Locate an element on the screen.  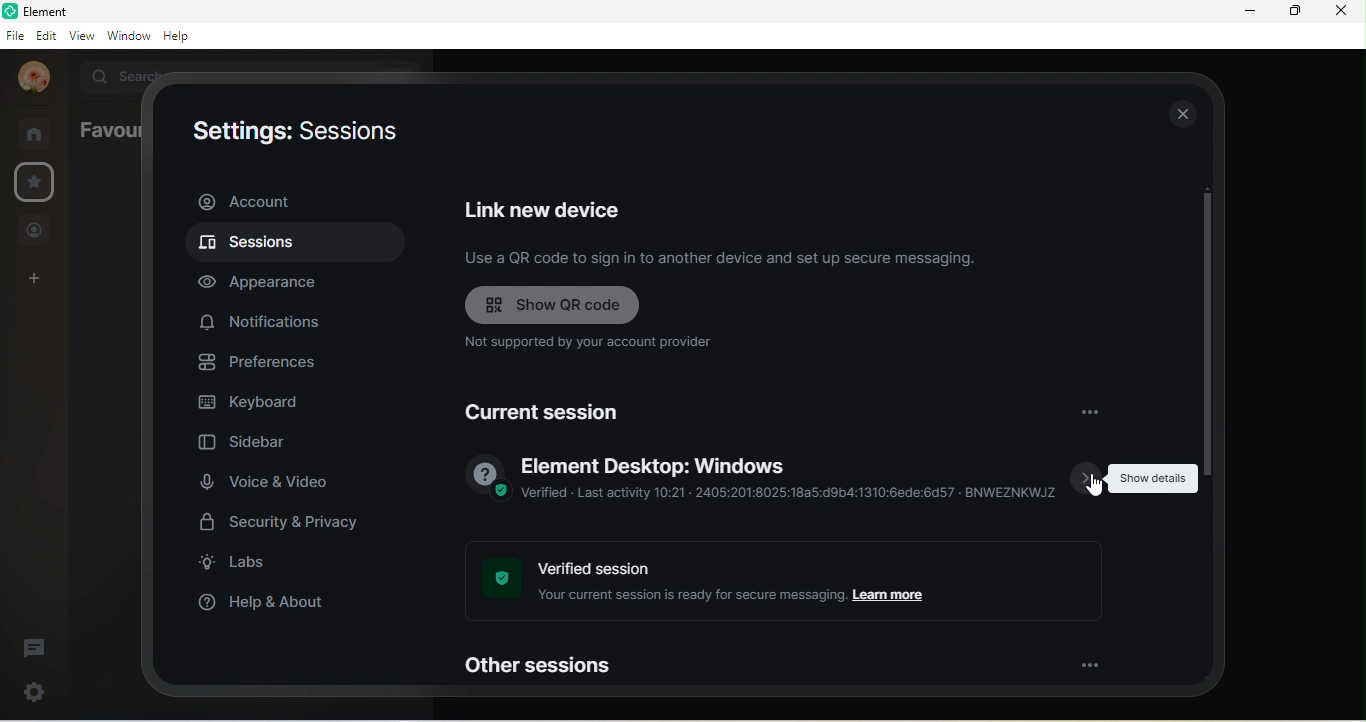
not supported by your account provider is located at coordinates (590, 343).